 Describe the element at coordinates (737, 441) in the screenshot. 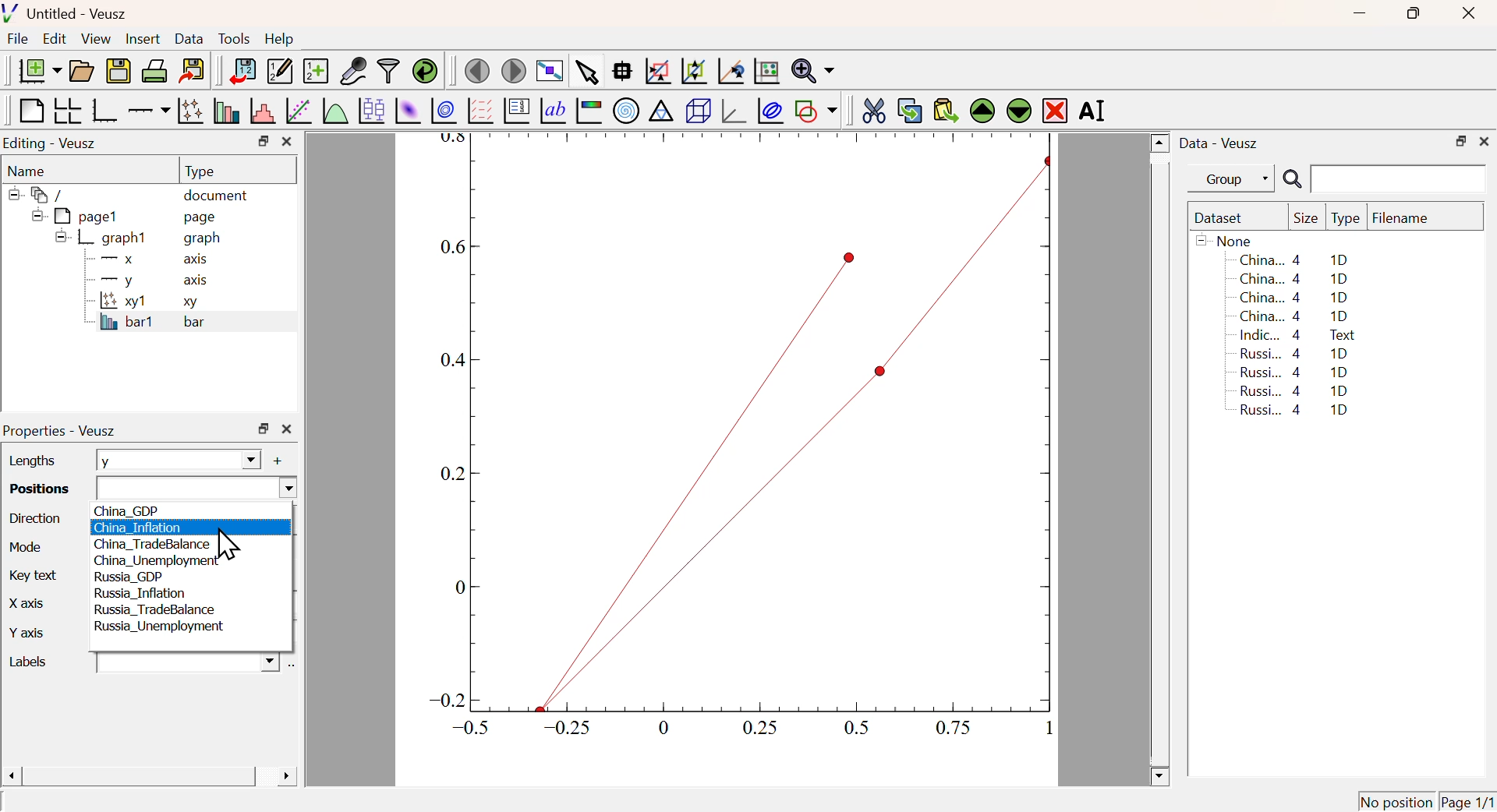

I see `Graph` at that location.